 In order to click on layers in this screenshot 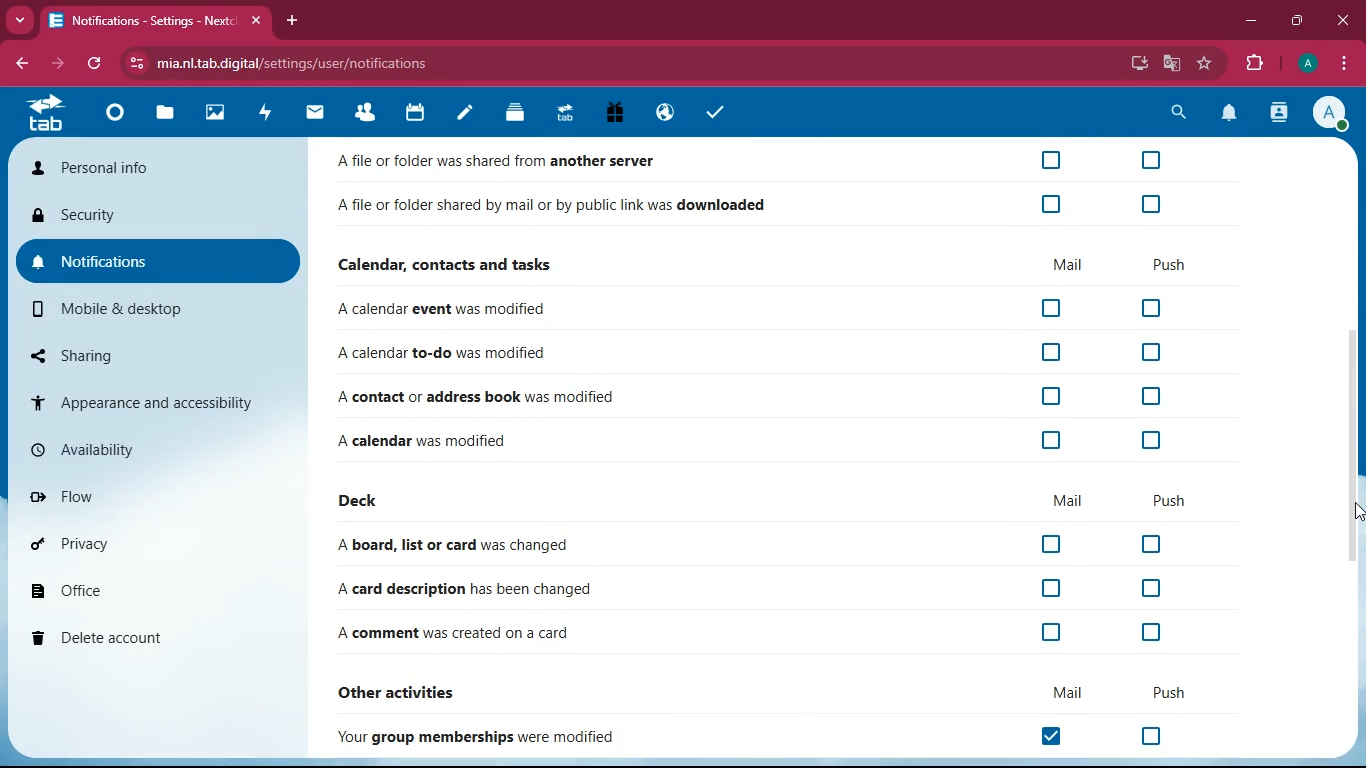, I will do `click(514, 113)`.